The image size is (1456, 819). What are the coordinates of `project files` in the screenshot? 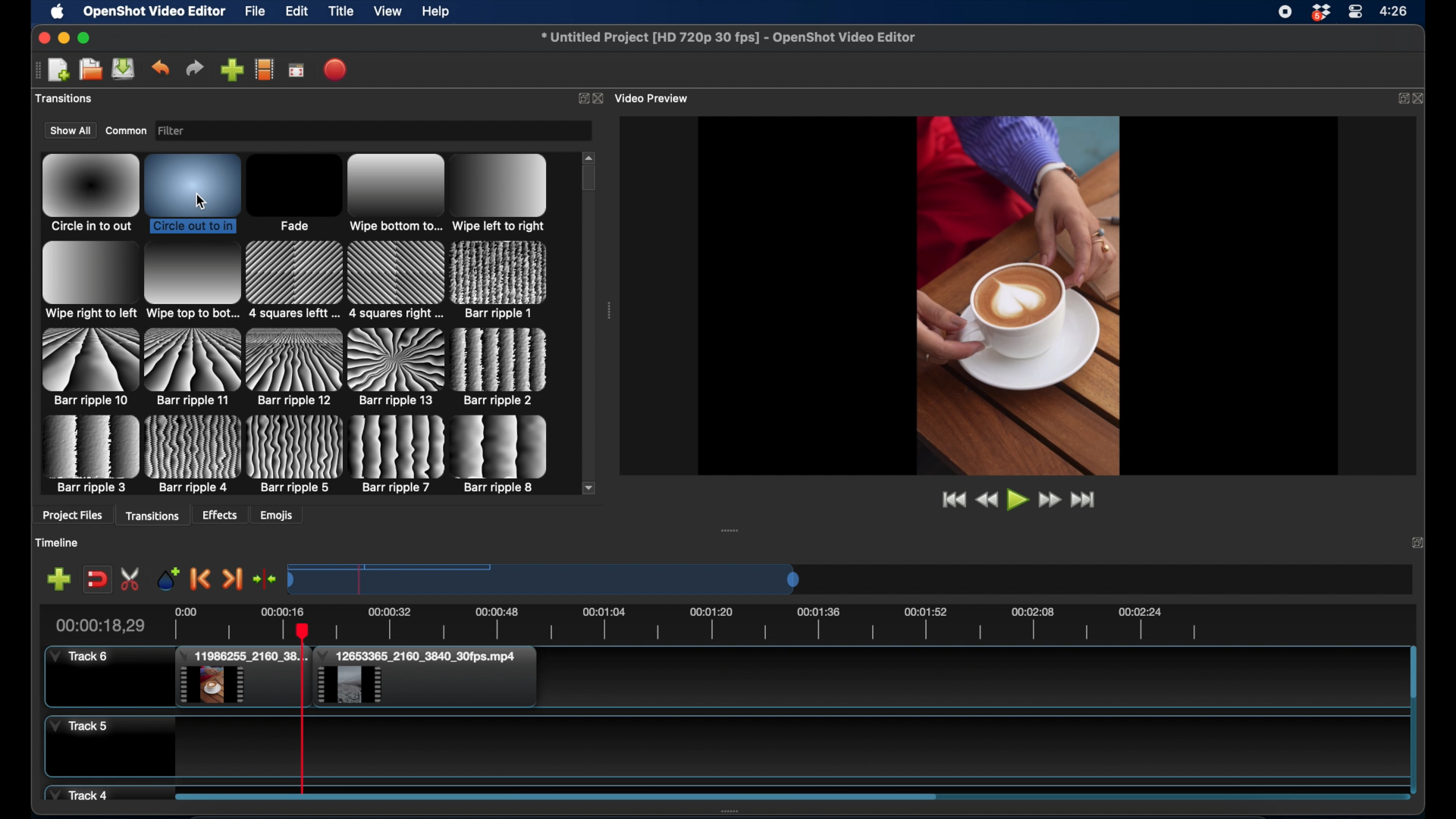 It's located at (72, 516).